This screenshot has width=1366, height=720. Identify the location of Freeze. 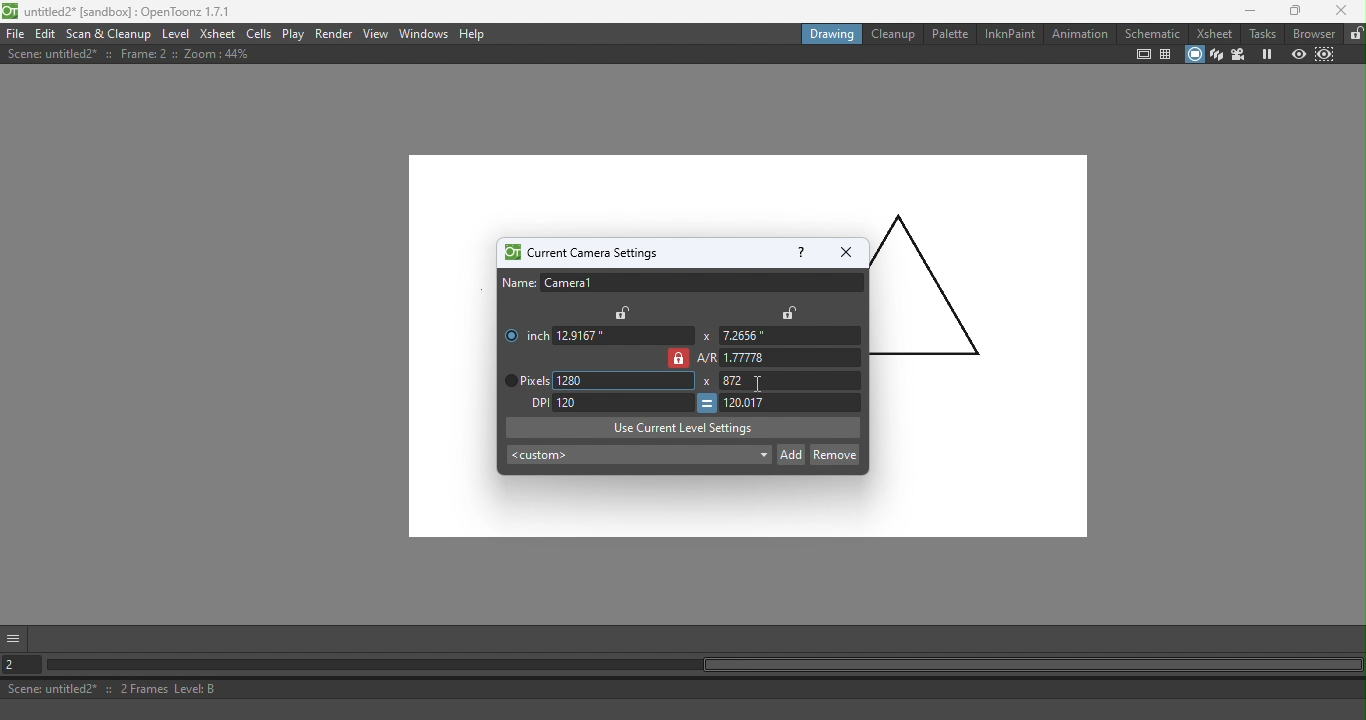
(1263, 54).